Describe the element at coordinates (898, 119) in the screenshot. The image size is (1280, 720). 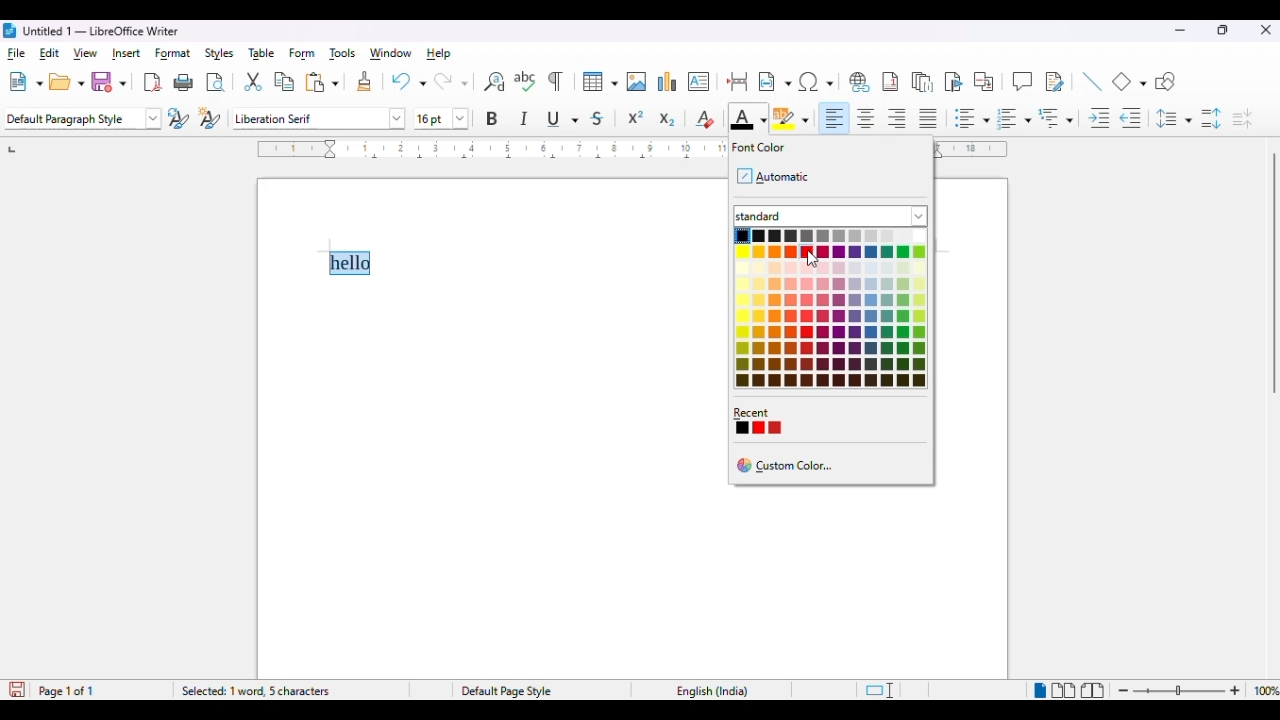
I see `align right` at that location.